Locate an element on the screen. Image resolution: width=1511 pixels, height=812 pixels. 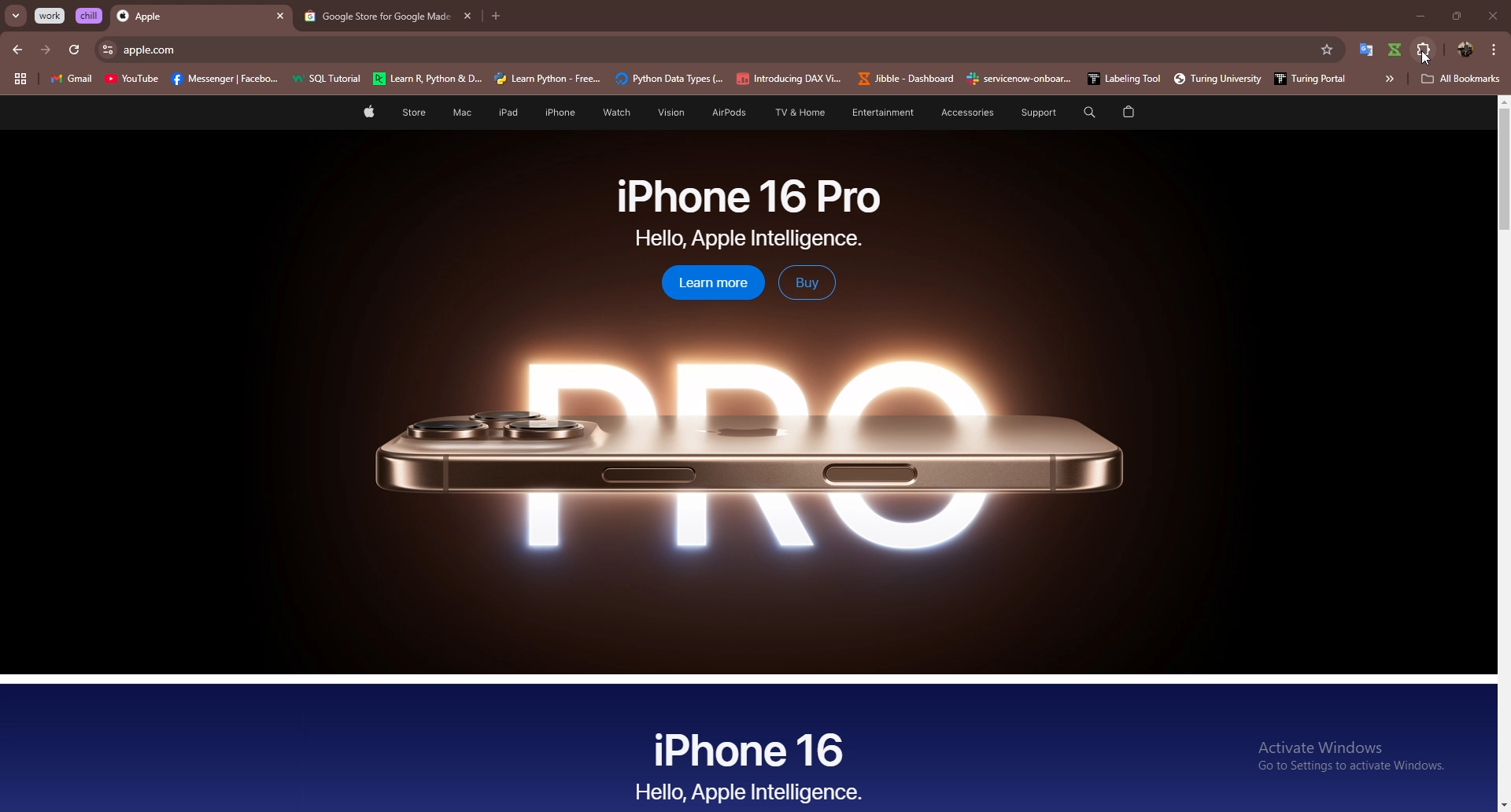
Activate Windows
Go to Settings to activate Windows. is located at coordinates (1353, 755).